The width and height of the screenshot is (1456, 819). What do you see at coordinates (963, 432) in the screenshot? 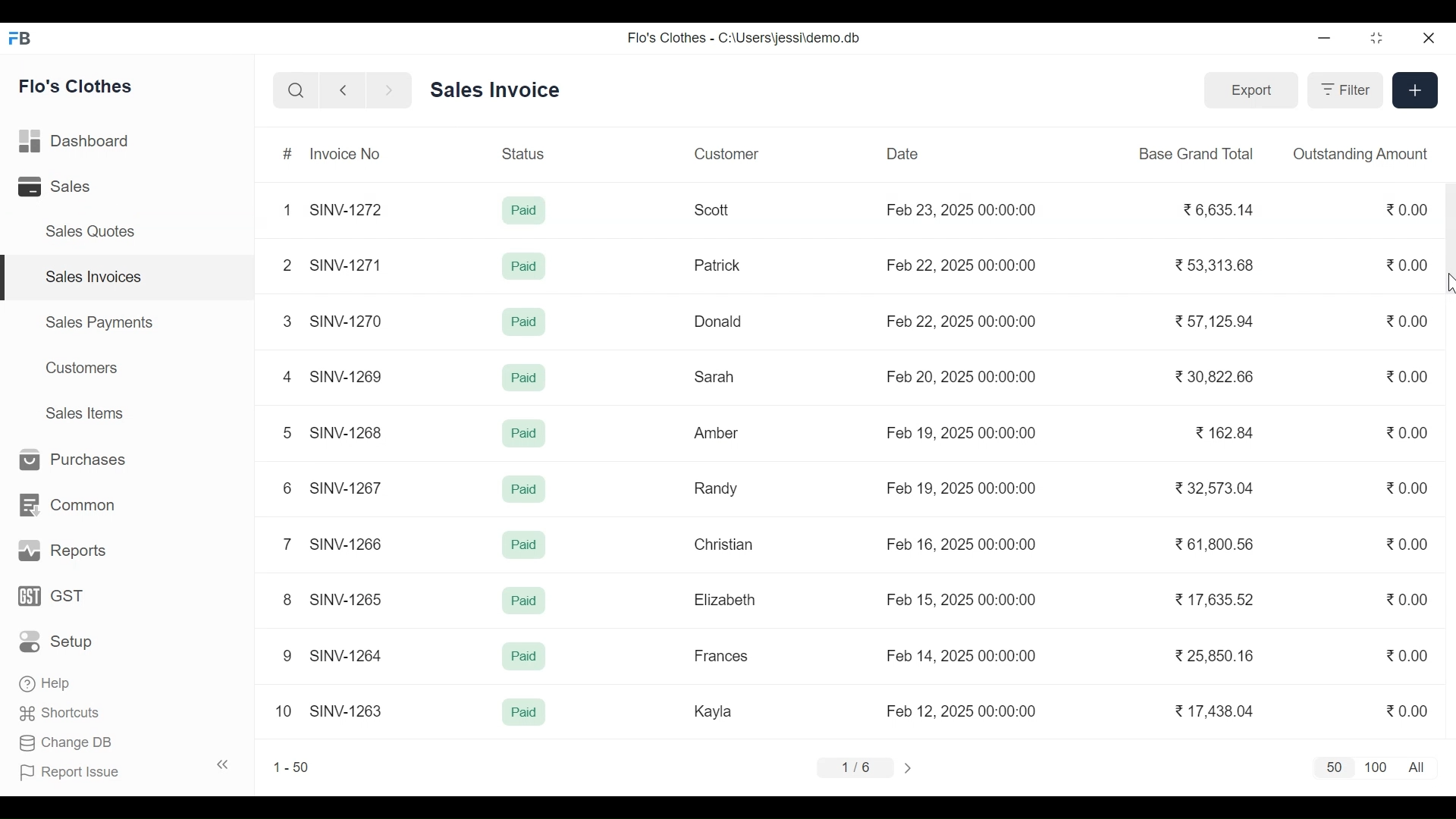
I see `Feb 19, 2025 00:00:00` at bounding box center [963, 432].